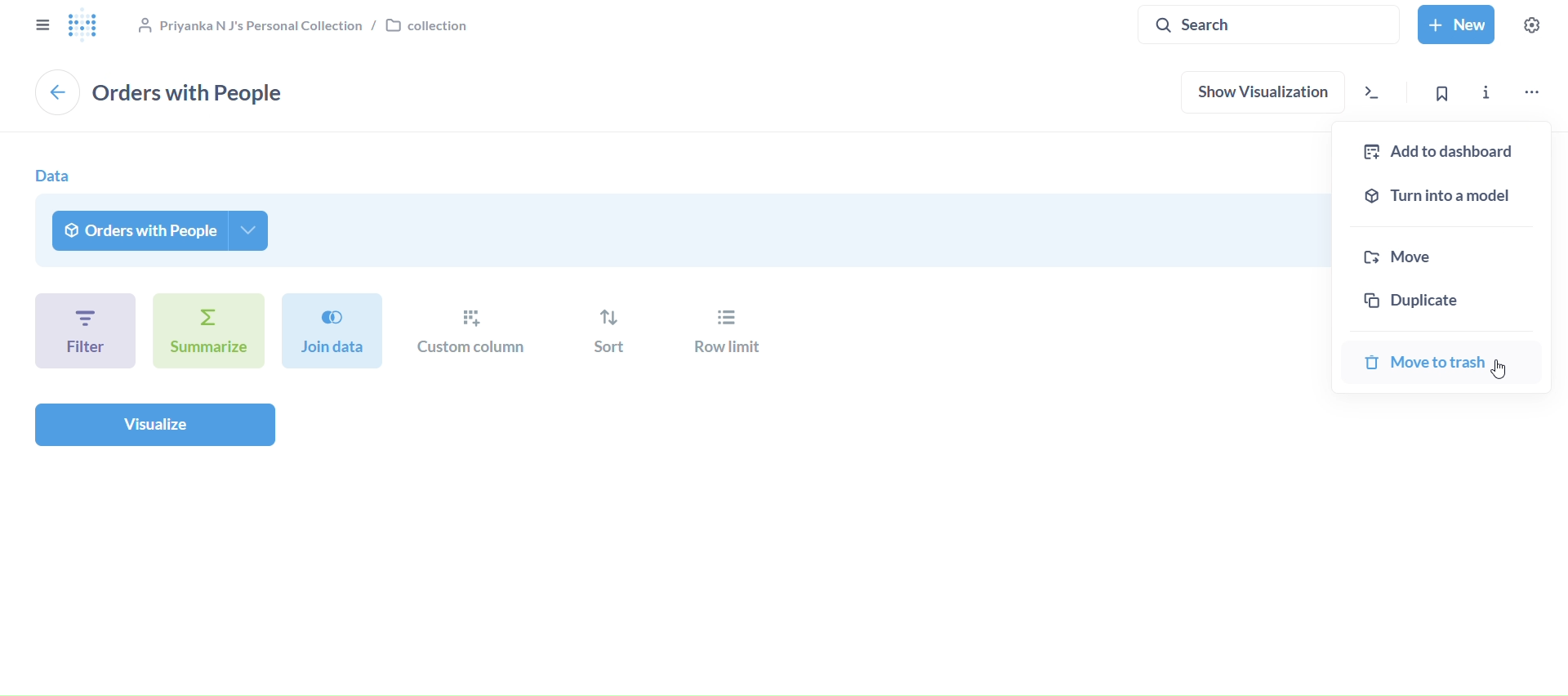 This screenshot has width=1568, height=696. I want to click on bookmark, so click(1439, 91).